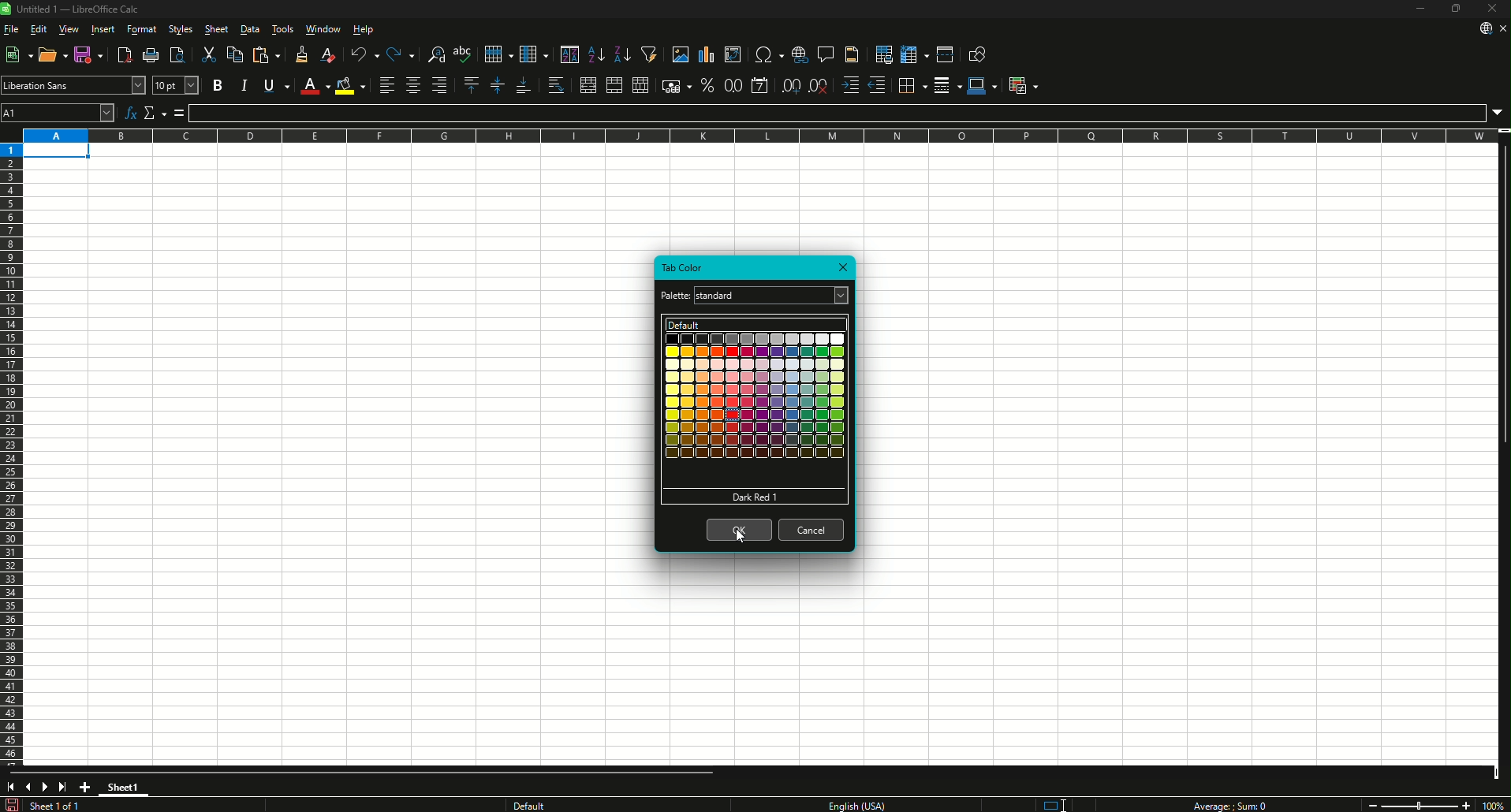 The image size is (1511, 812). What do you see at coordinates (283, 28) in the screenshot?
I see `Tools` at bounding box center [283, 28].